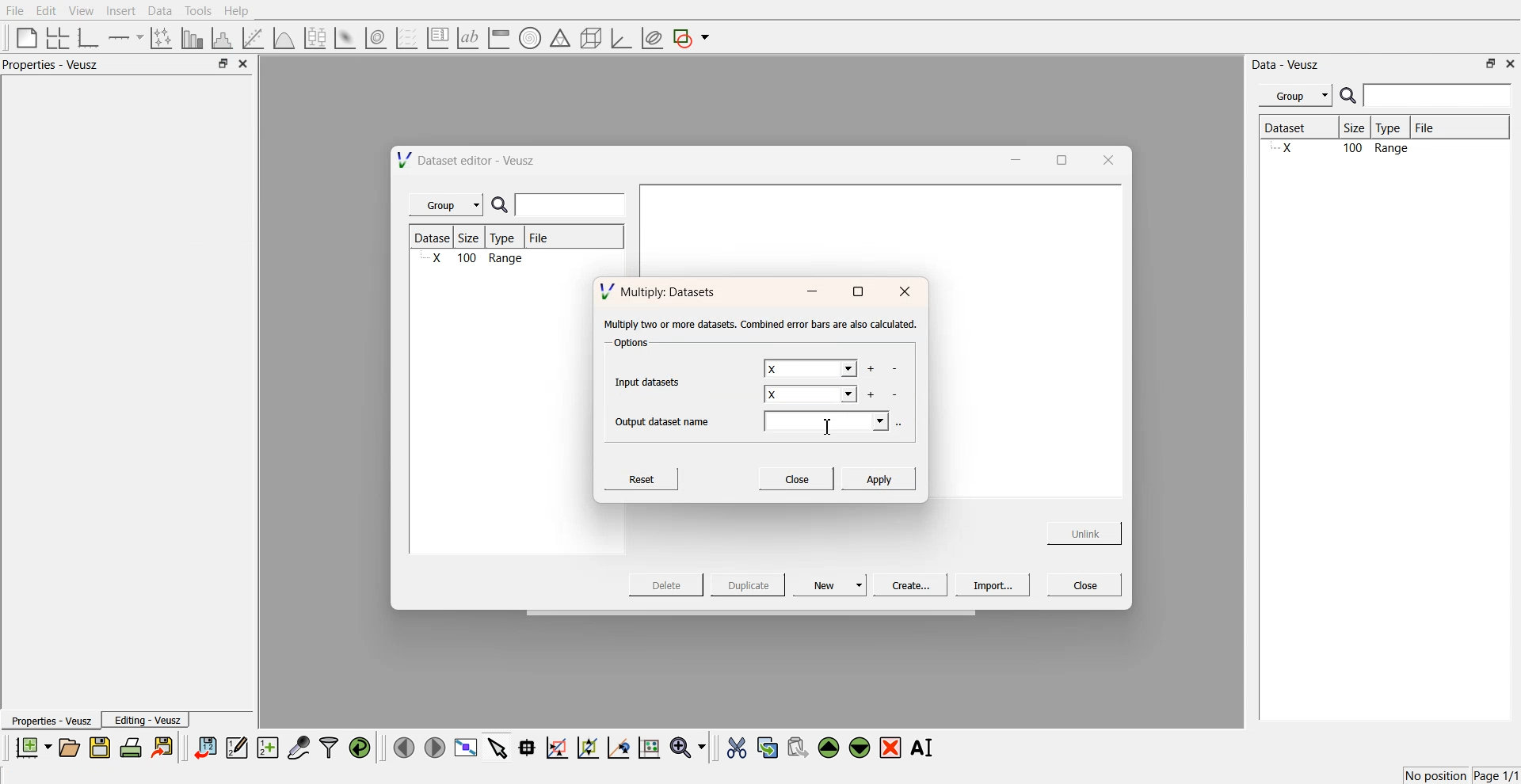 This screenshot has height=784, width=1521. Describe the element at coordinates (830, 748) in the screenshot. I see `move the selected widgets up` at that location.